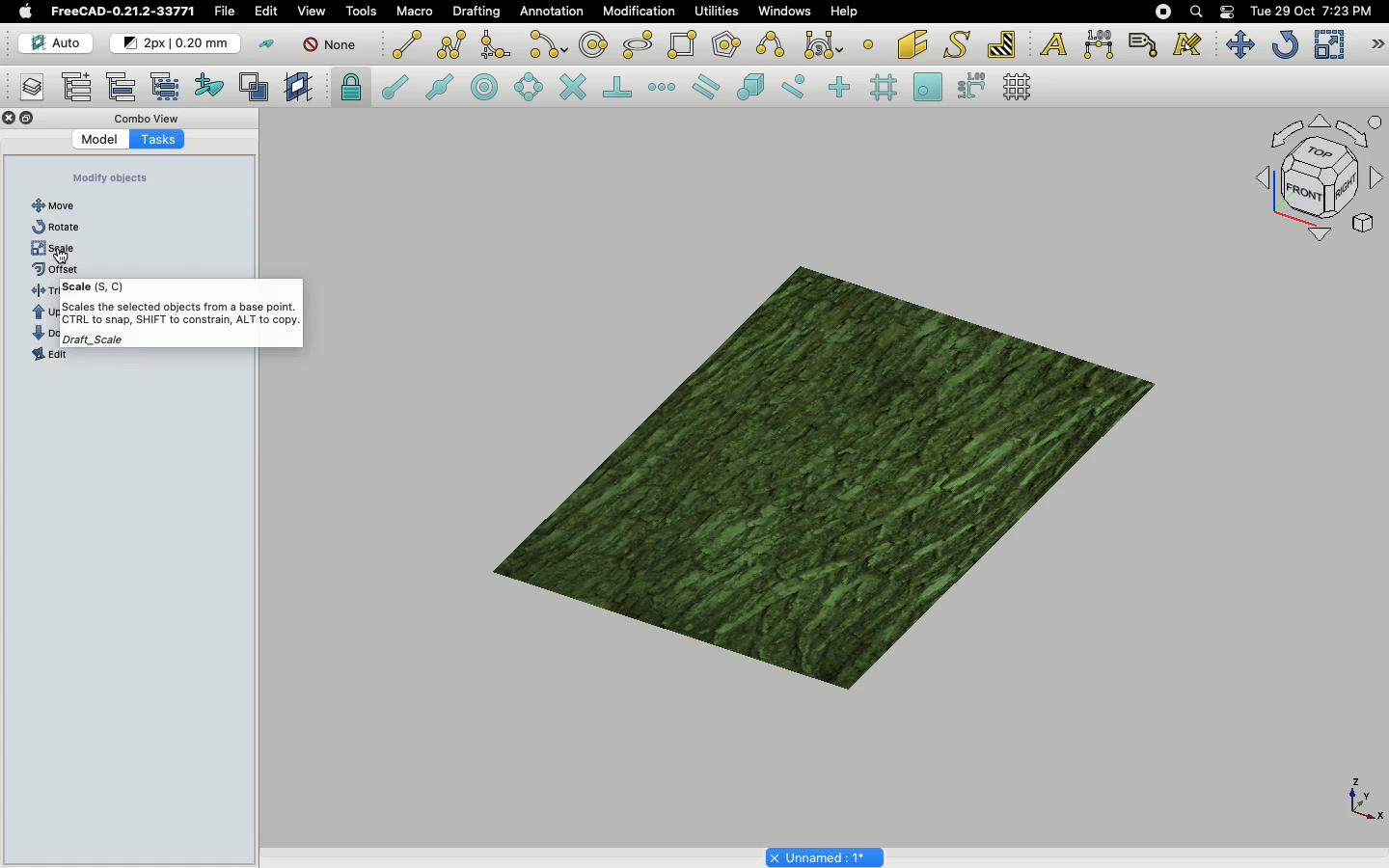 This screenshot has width=1389, height=868. What do you see at coordinates (482, 88) in the screenshot?
I see `Snap center` at bounding box center [482, 88].